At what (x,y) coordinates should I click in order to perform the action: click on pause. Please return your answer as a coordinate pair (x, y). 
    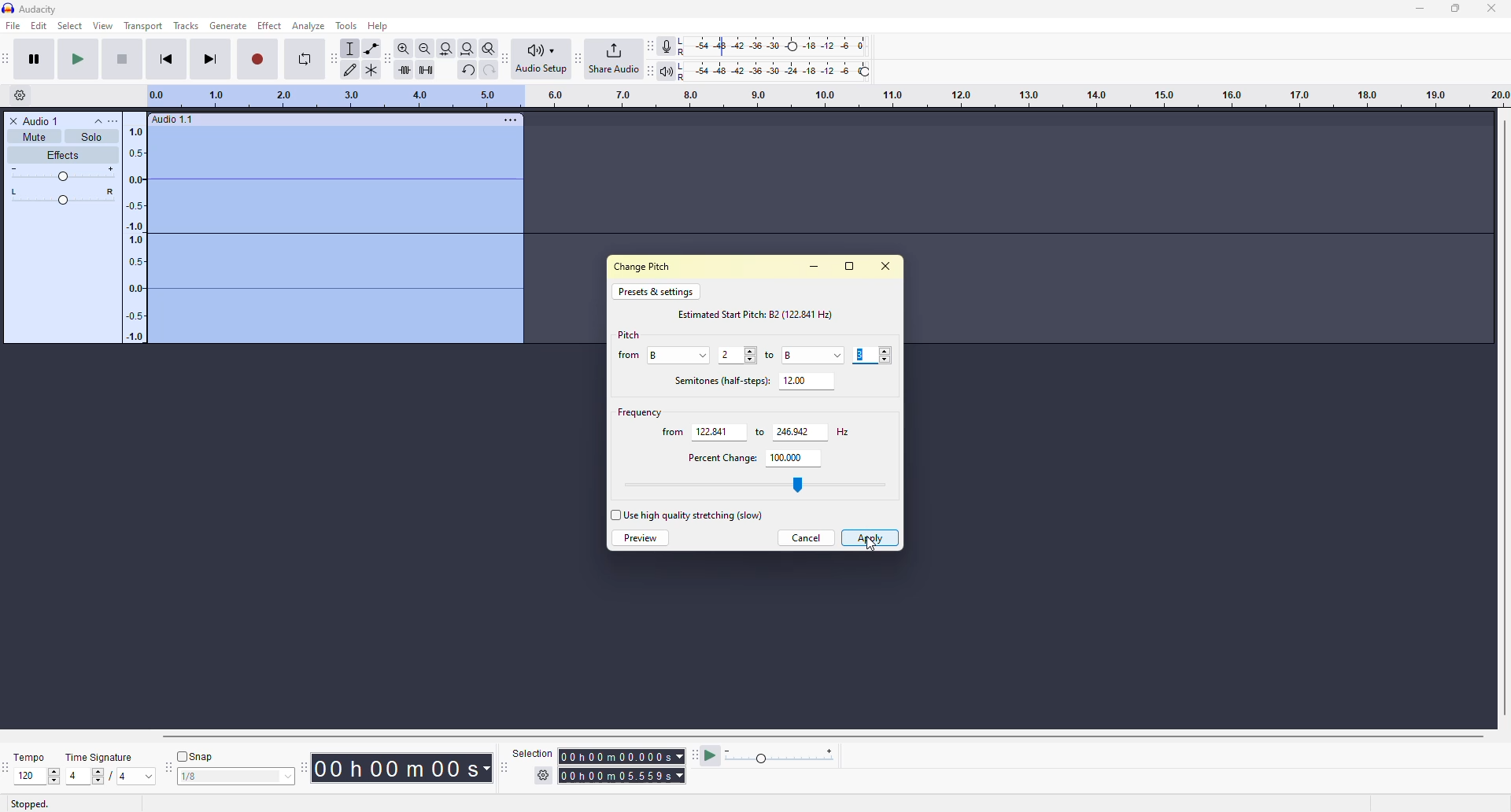
    Looking at the image, I should click on (34, 58).